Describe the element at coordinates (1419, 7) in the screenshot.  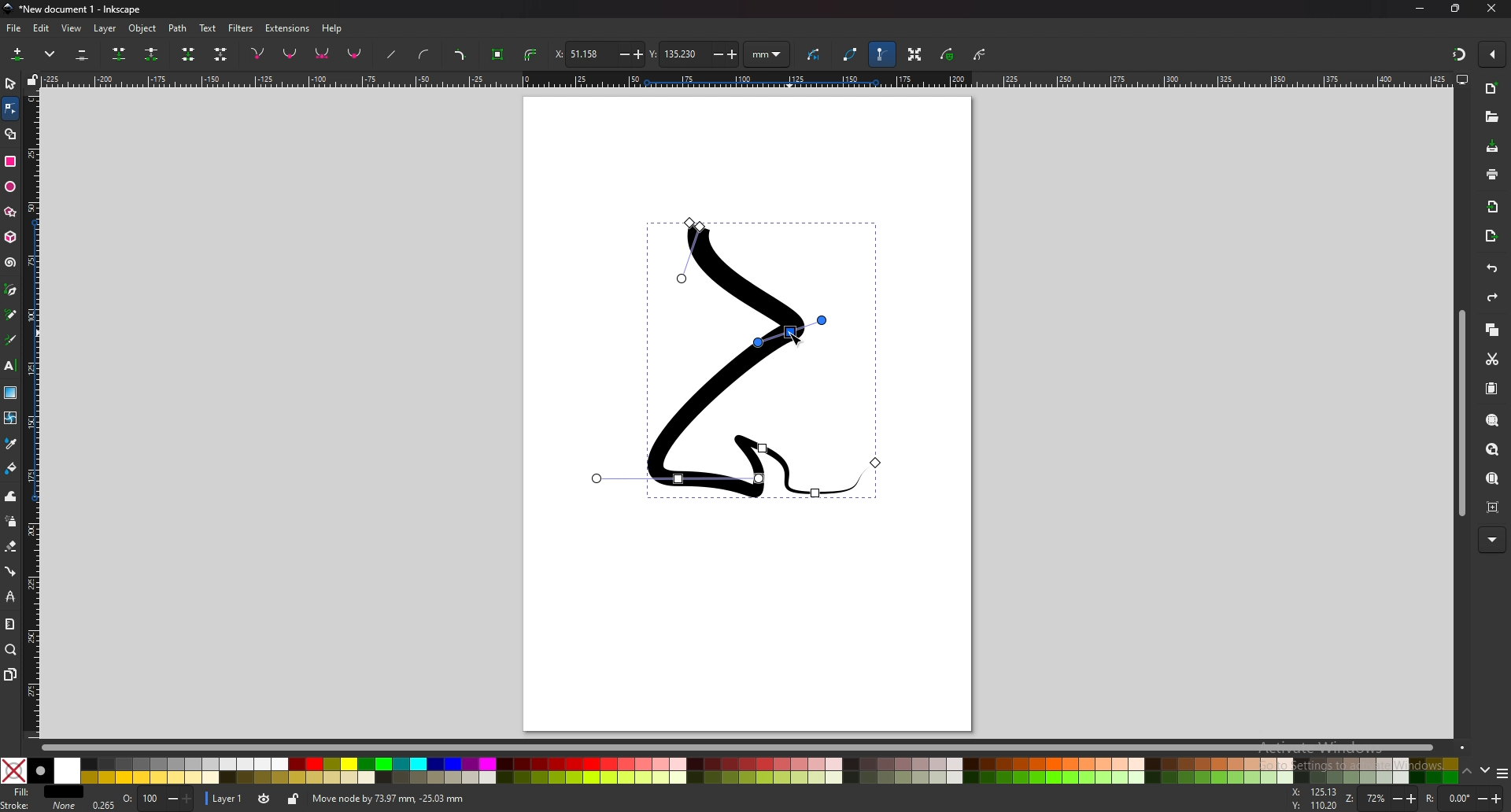
I see `minimize` at that location.